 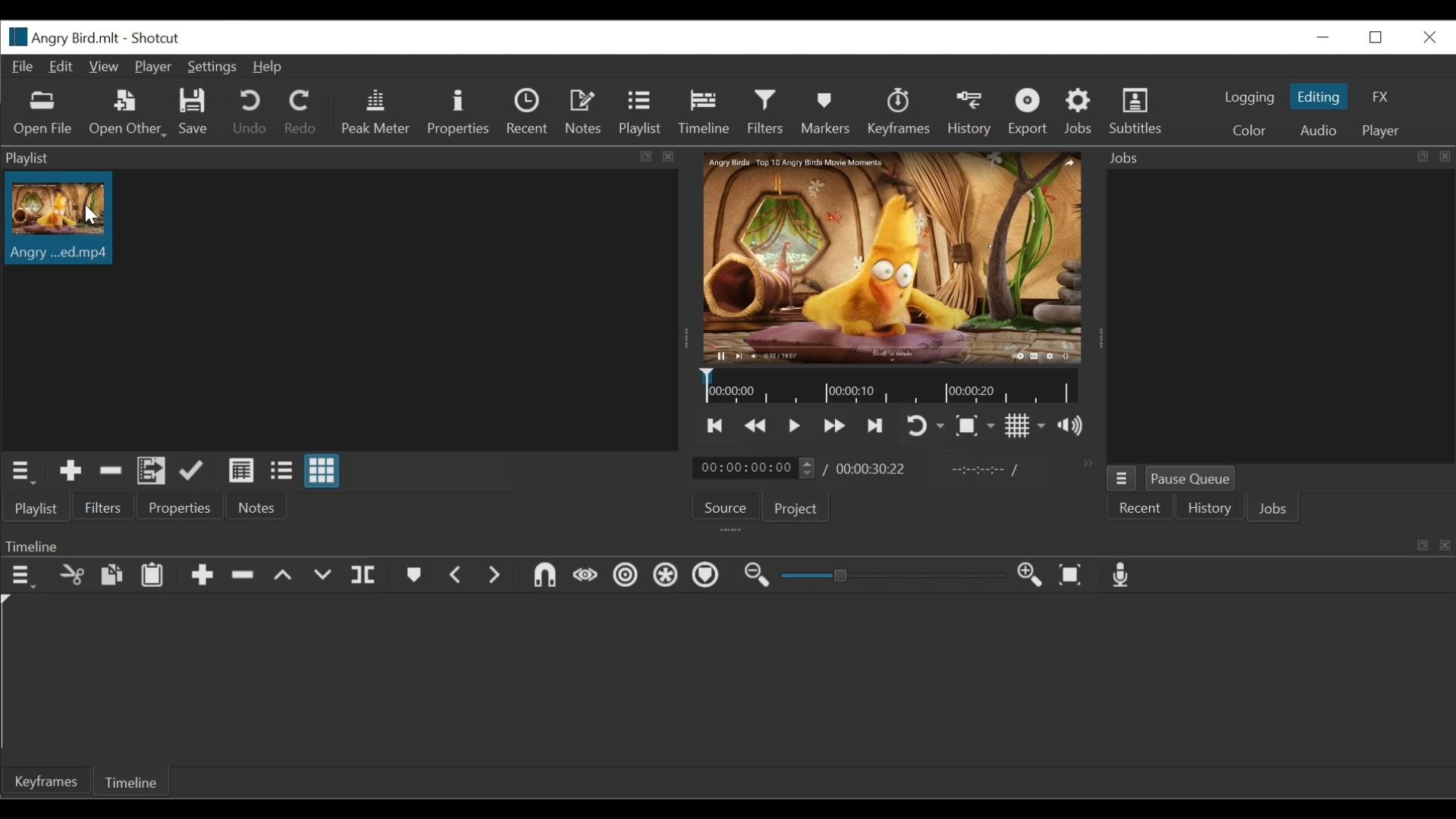 I want to click on Jobs, so click(x=1081, y=111).